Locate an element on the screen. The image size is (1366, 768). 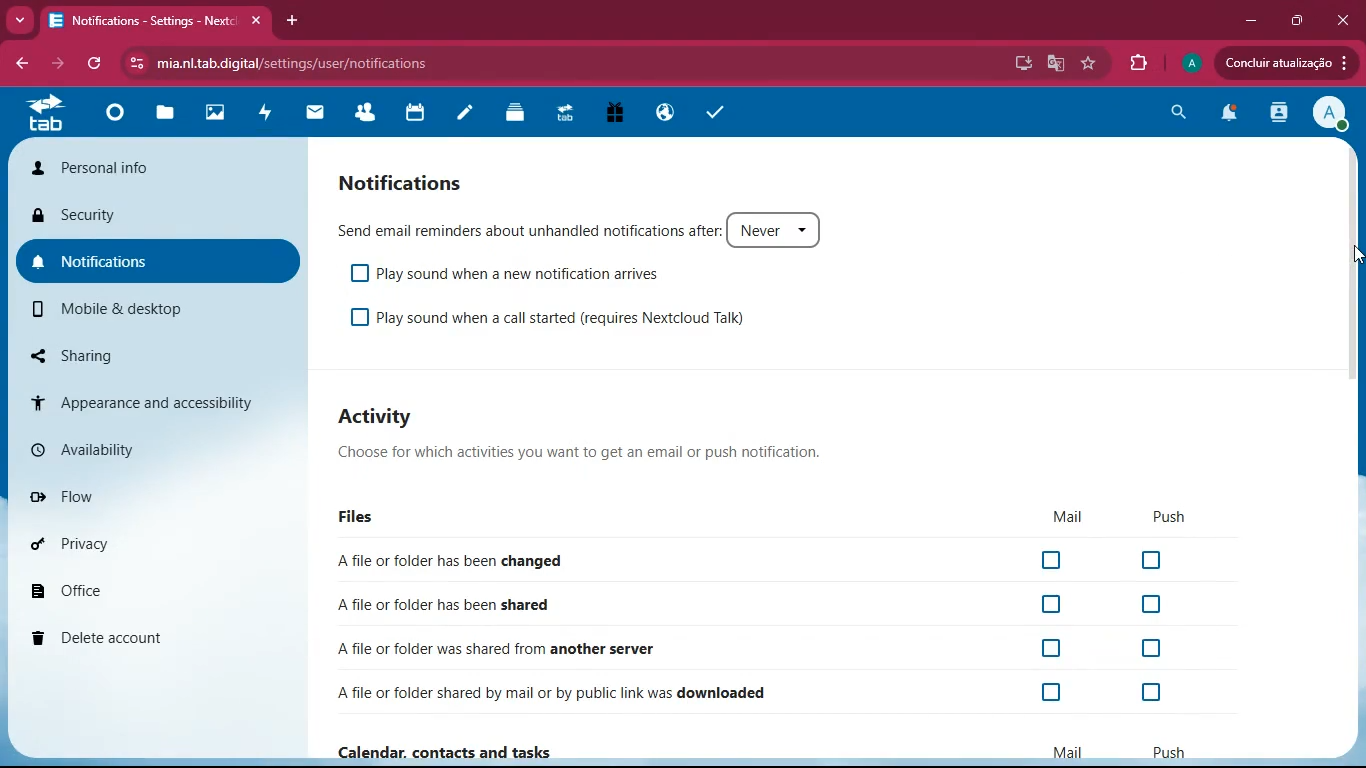
gift is located at coordinates (621, 114).